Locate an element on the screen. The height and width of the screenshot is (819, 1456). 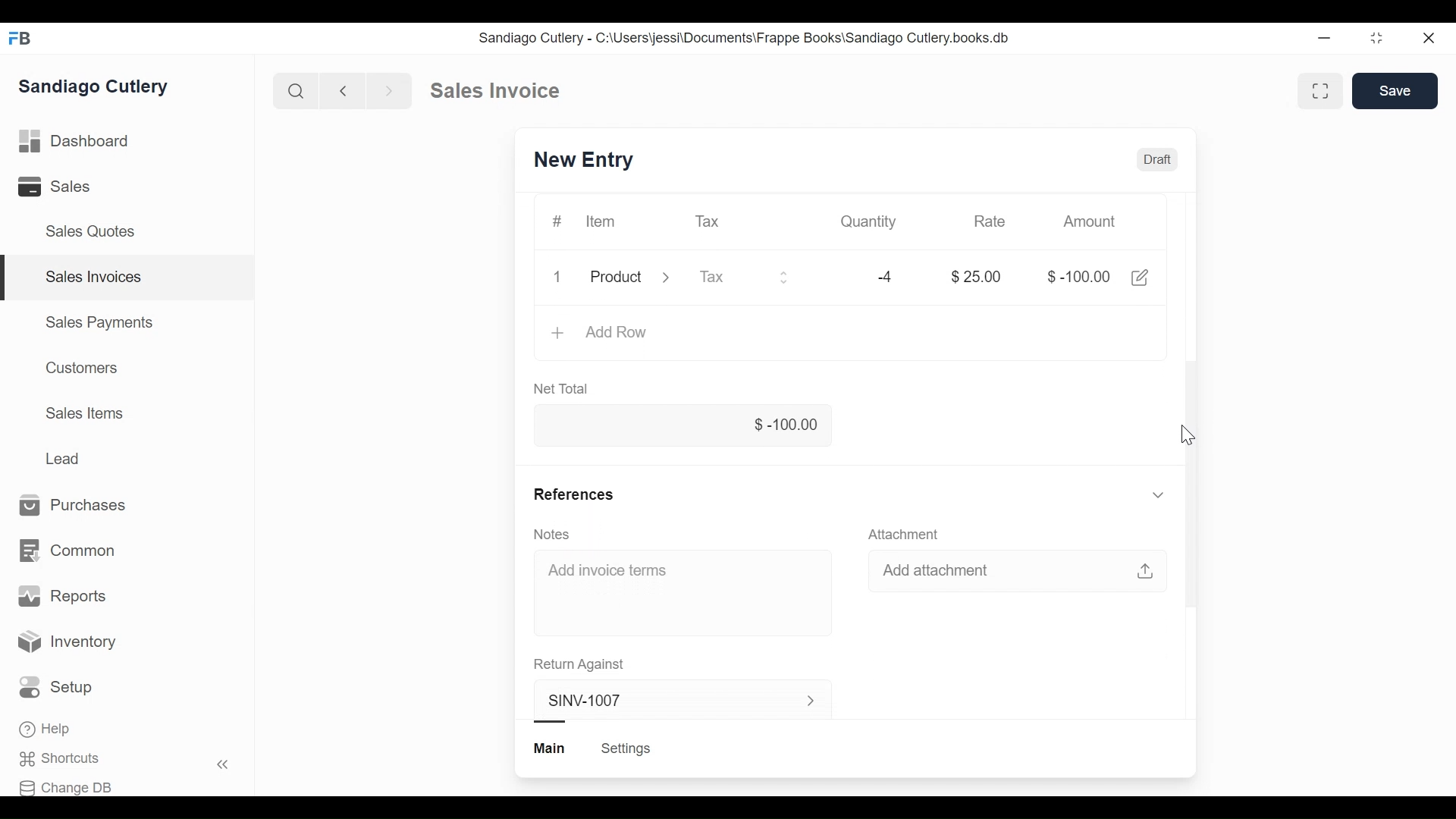
$25.00 is located at coordinates (977, 276).